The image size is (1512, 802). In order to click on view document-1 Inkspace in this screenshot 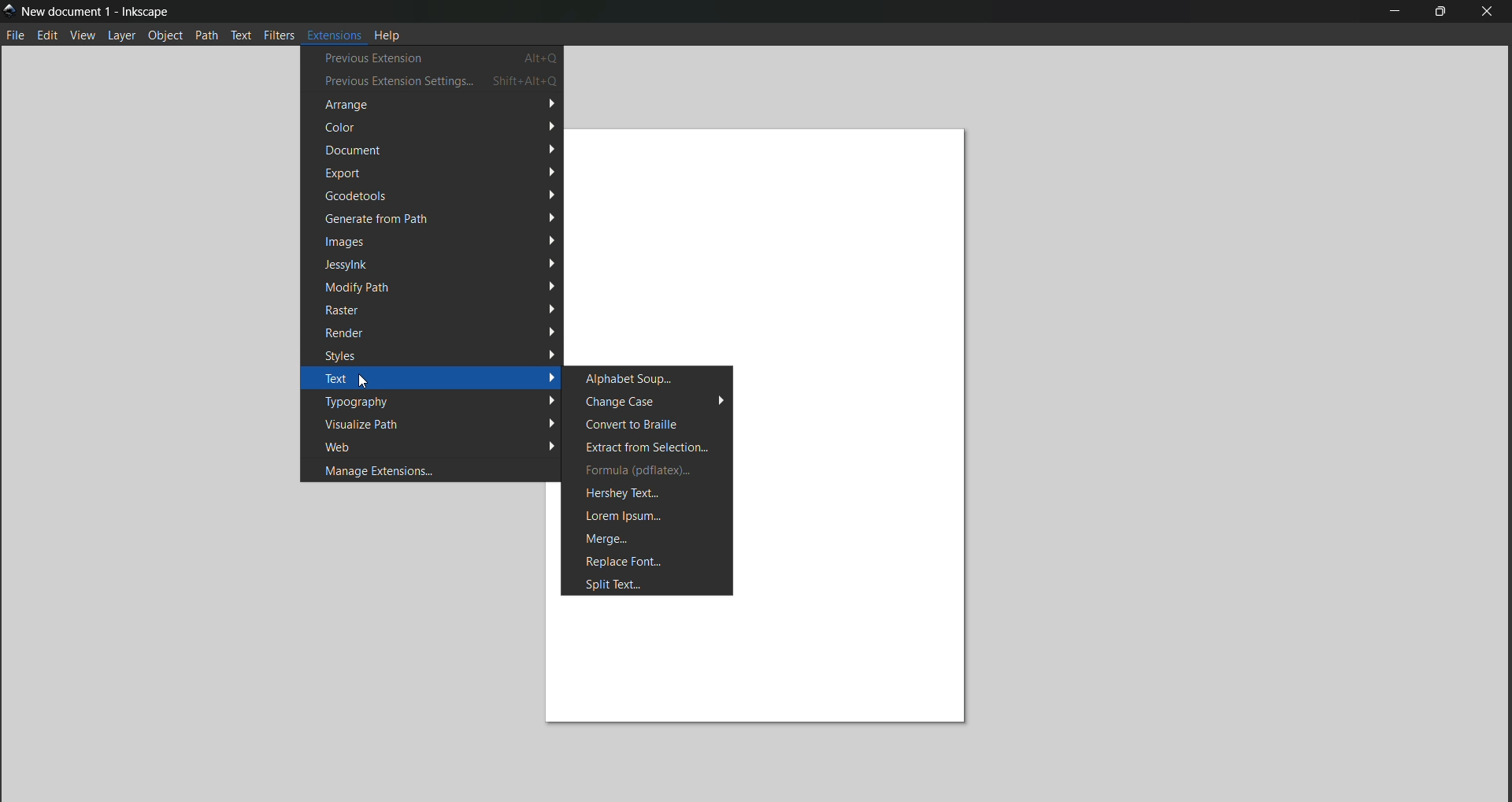, I will do `click(97, 11)`.